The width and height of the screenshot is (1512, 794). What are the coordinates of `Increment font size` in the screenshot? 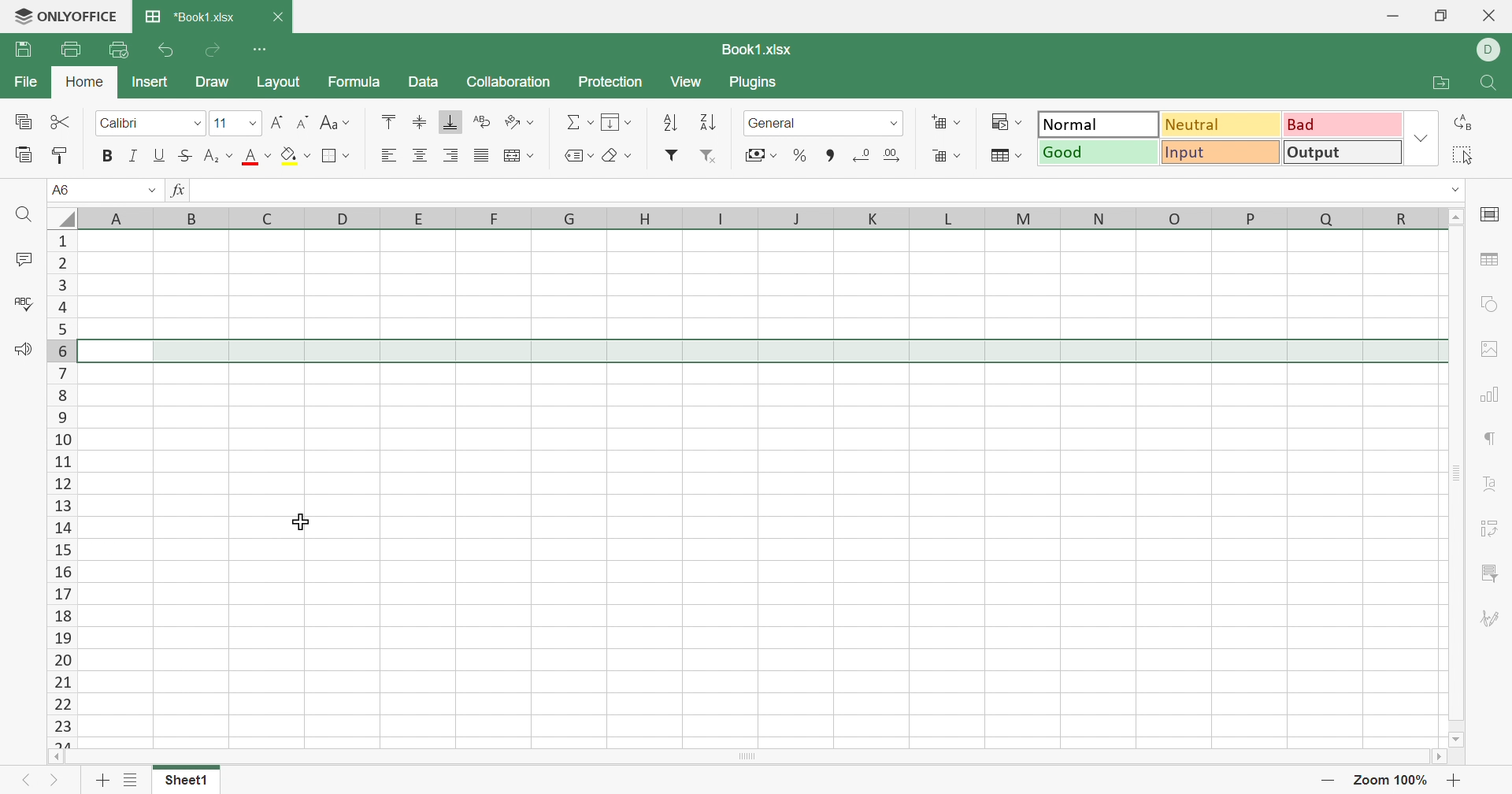 It's located at (275, 123).